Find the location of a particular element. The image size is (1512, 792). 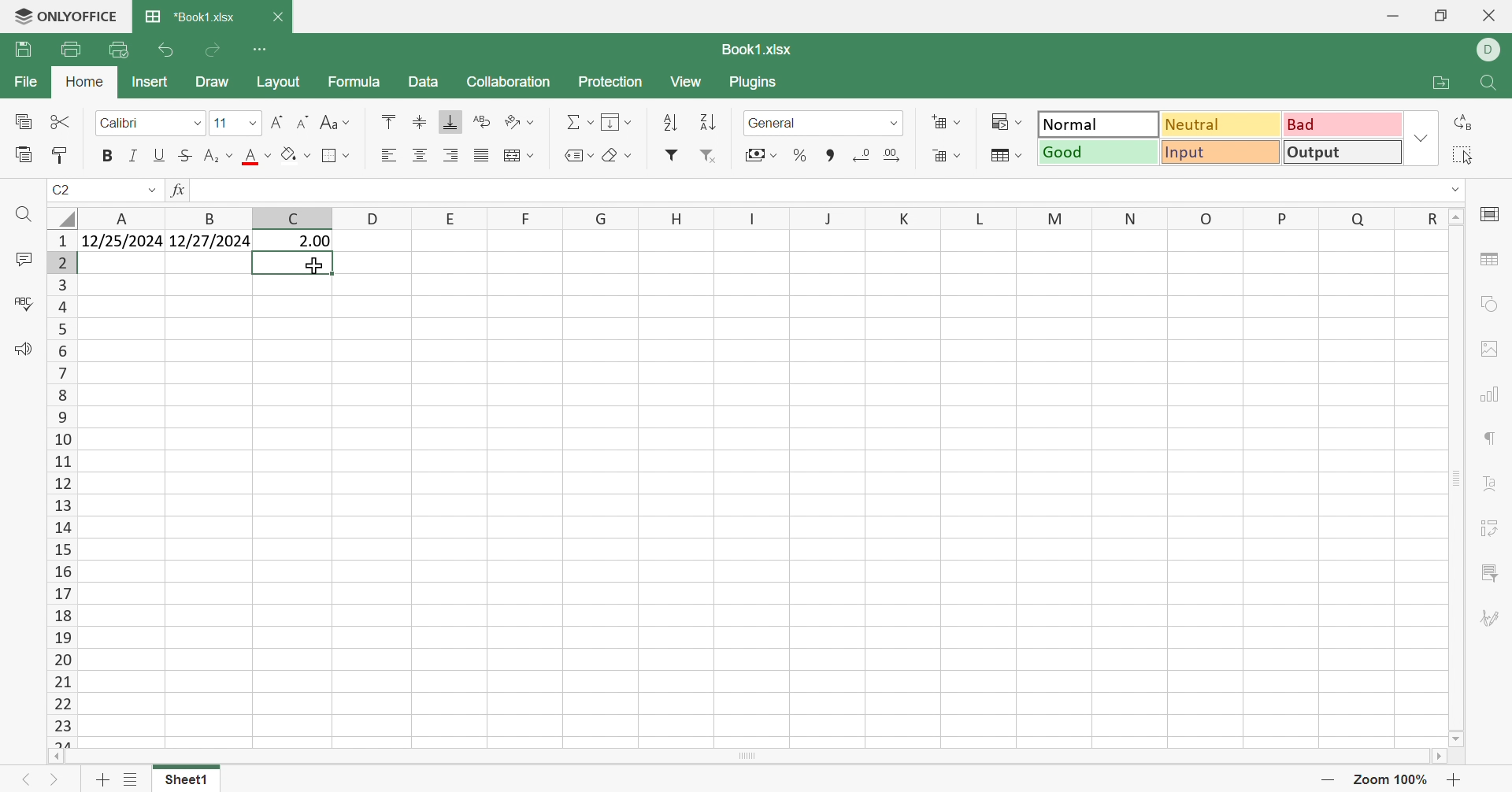

Table settings is located at coordinates (1488, 263).